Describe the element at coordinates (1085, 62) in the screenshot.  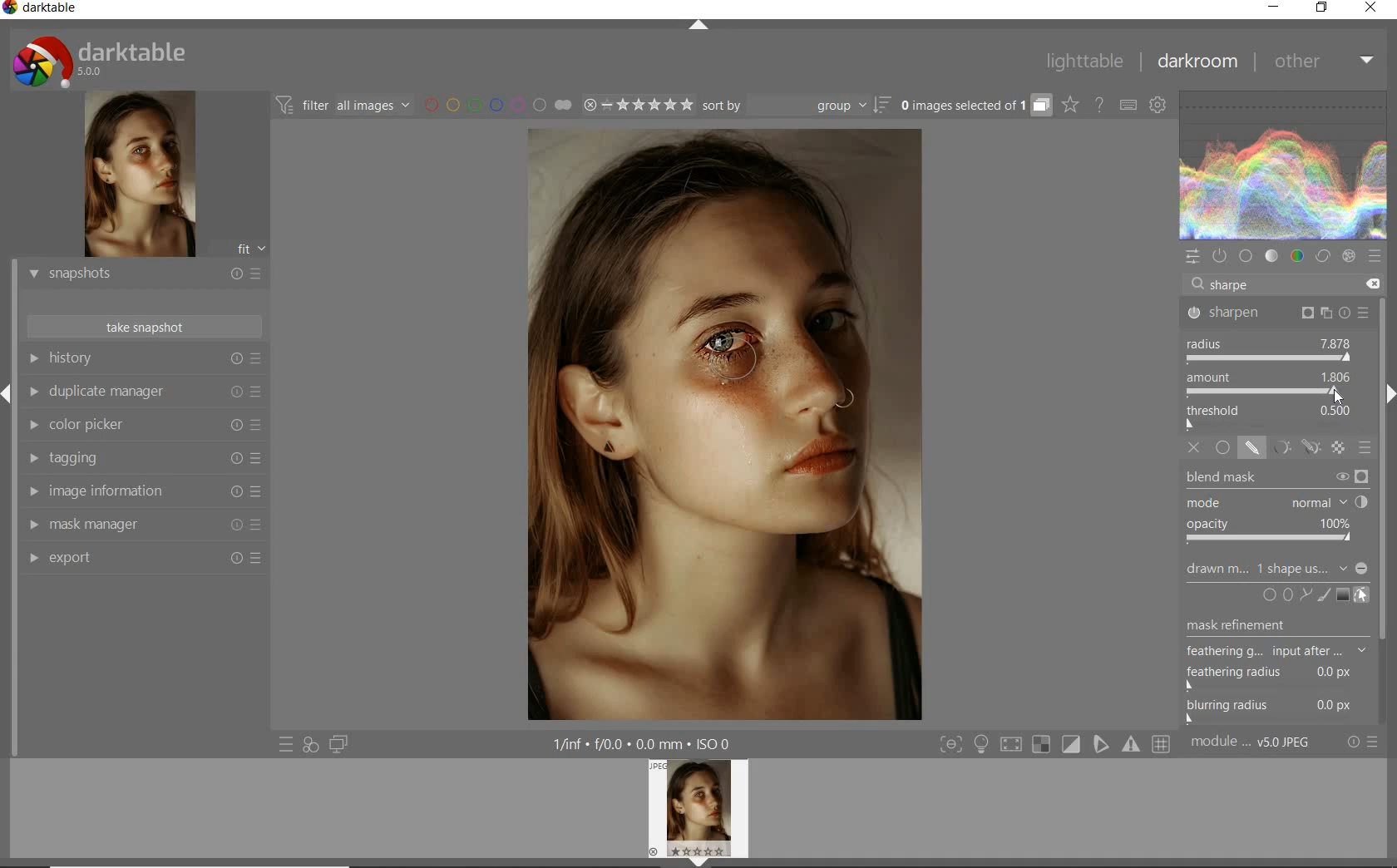
I see `lighttable` at that location.